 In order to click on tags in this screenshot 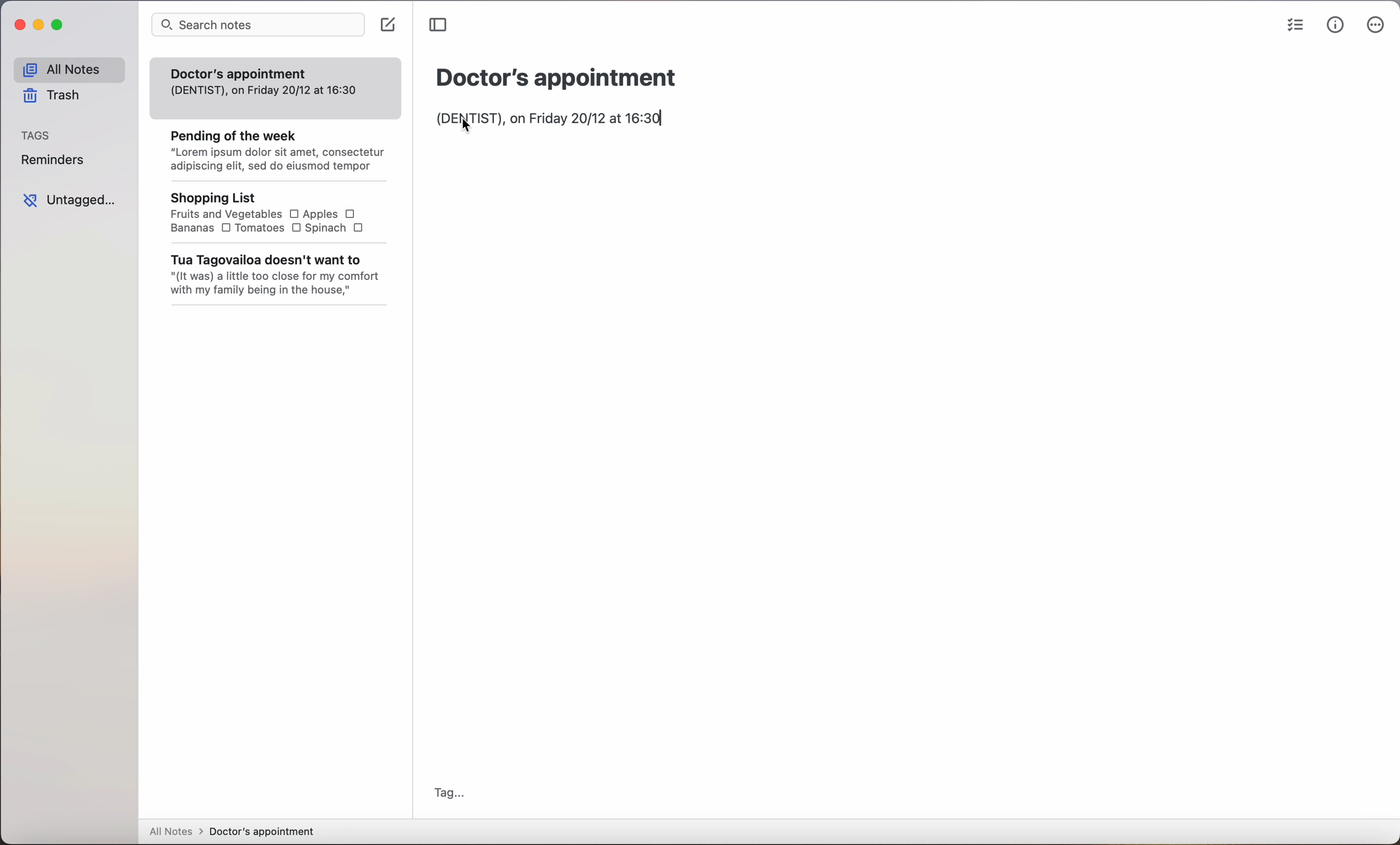, I will do `click(35, 136)`.